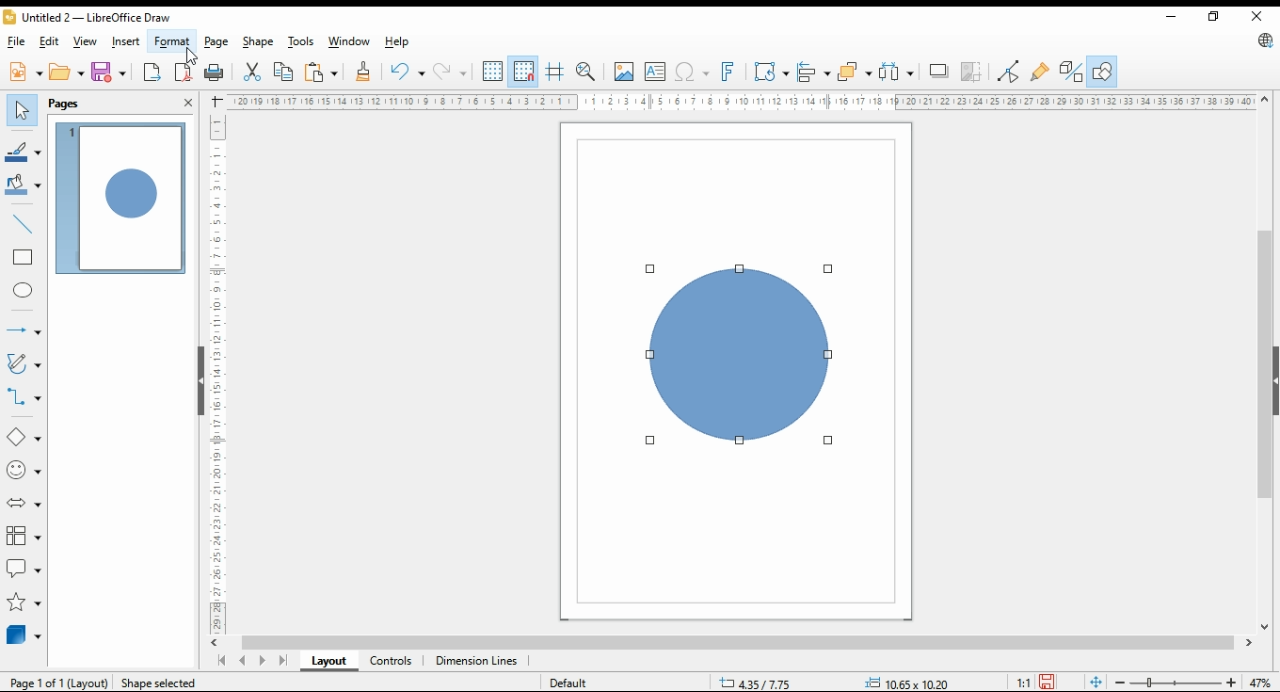  Describe the element at coordinates (17, 42) in the screenshot. I see `file` at that location.